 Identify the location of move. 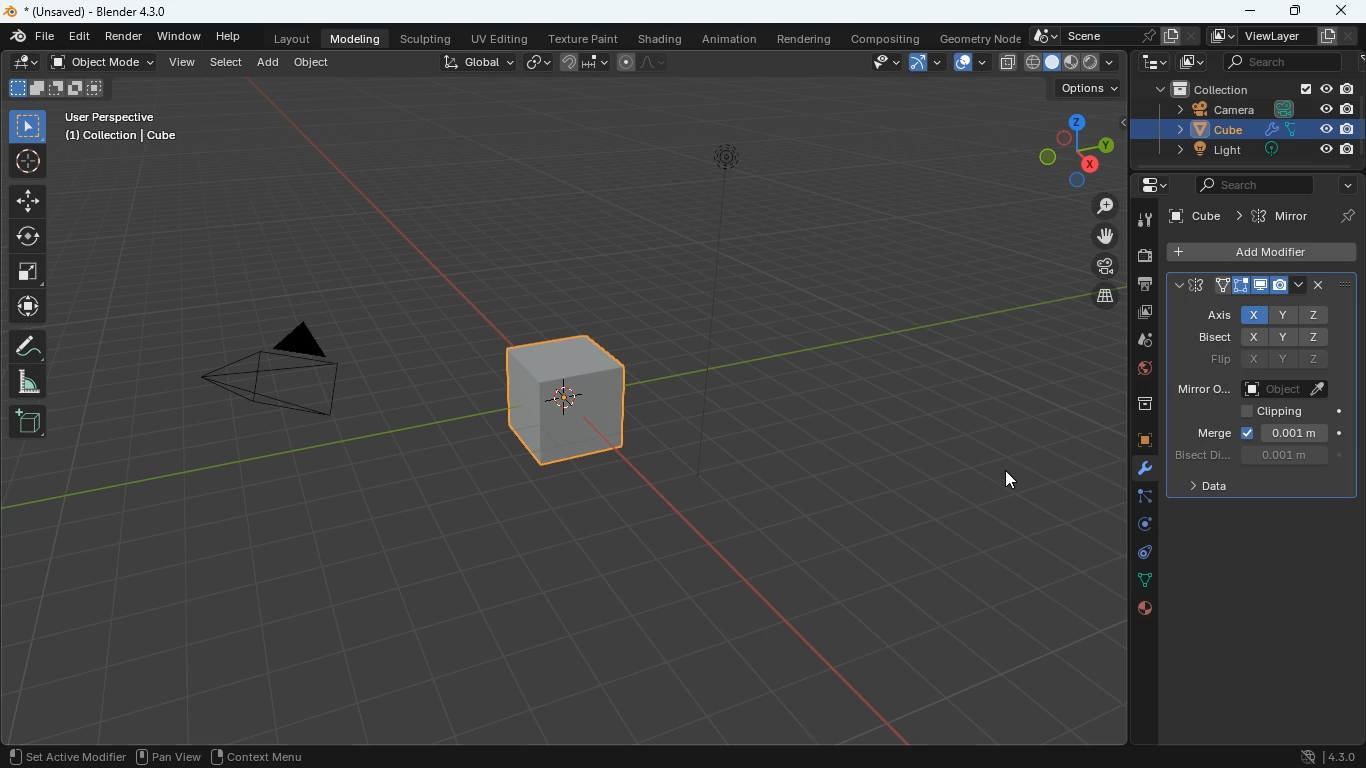
(1091, 236).